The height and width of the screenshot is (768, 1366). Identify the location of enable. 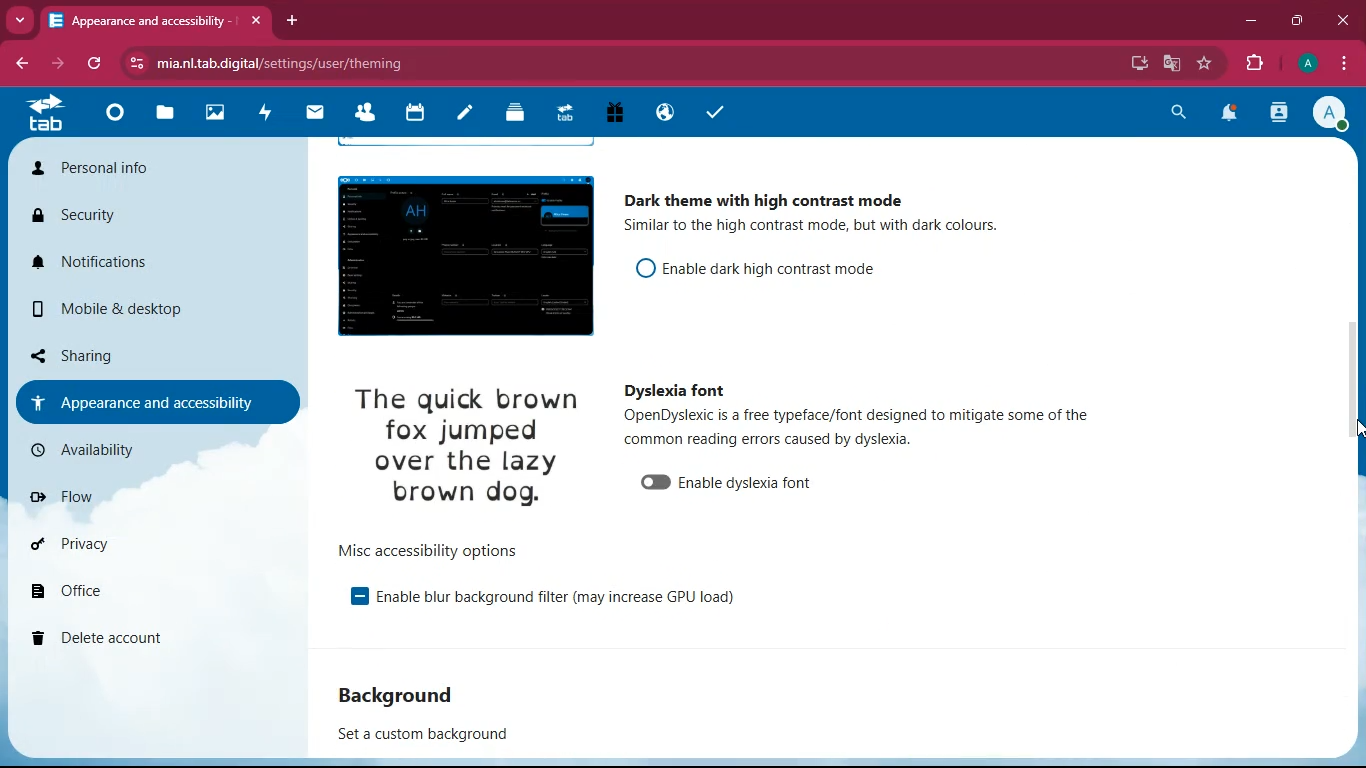
(354, 596).